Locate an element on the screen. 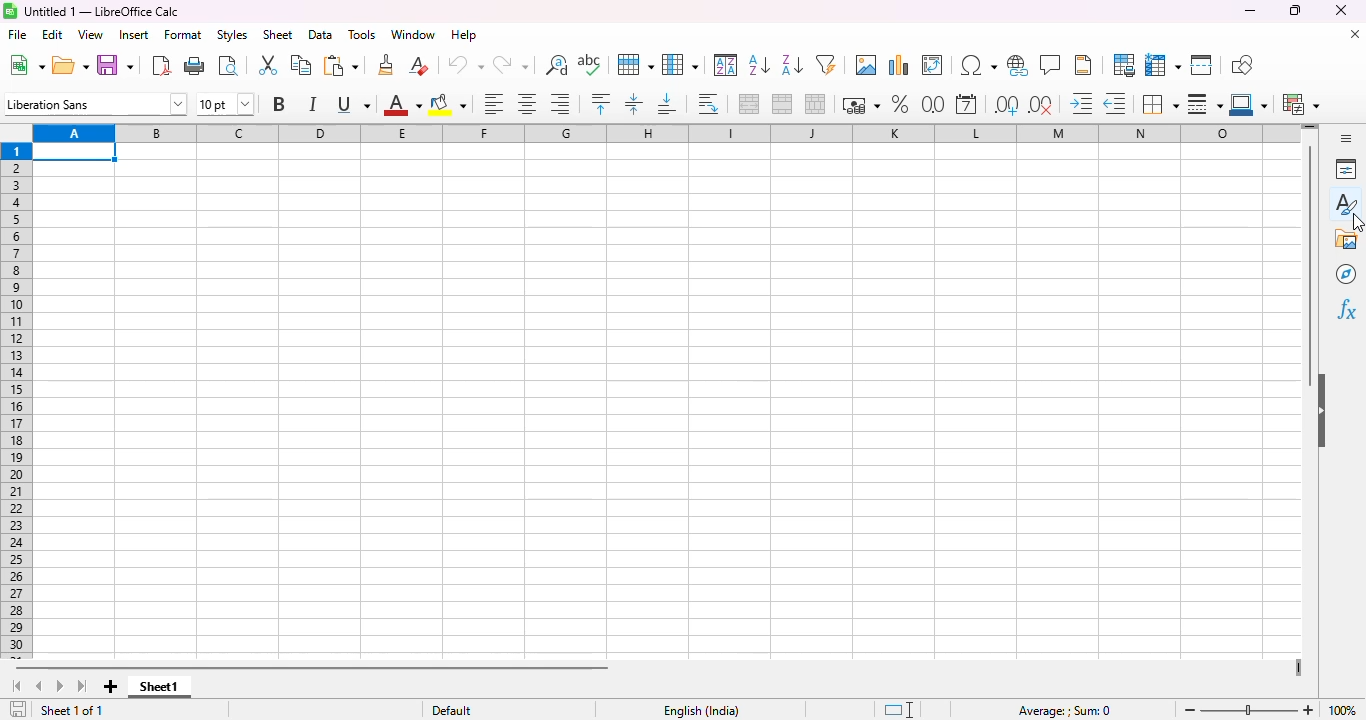 This screenshot has width=1366, height=720. help is located at coordinates (464, 35).